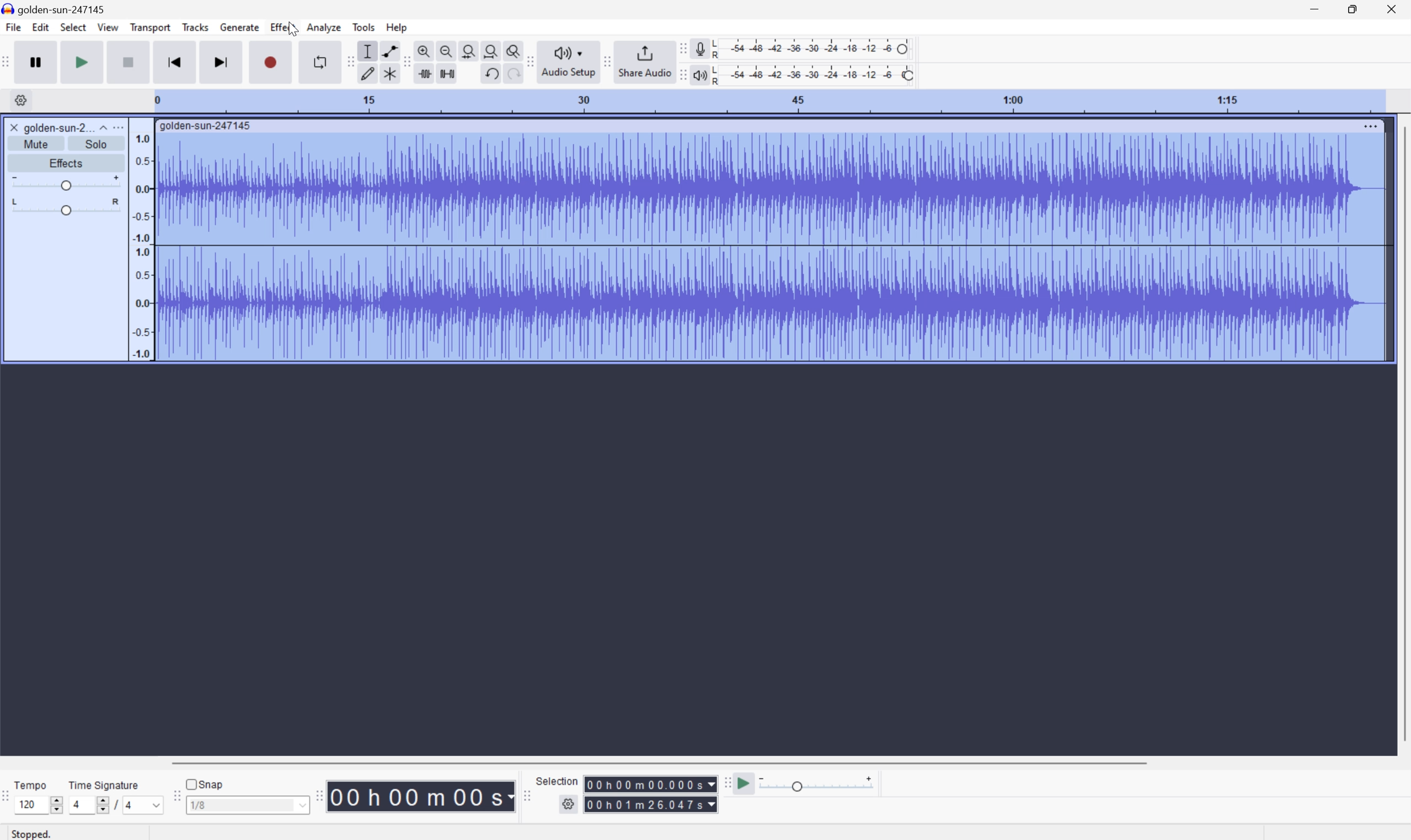  I want to click on Zoom in, so click(426, 48).